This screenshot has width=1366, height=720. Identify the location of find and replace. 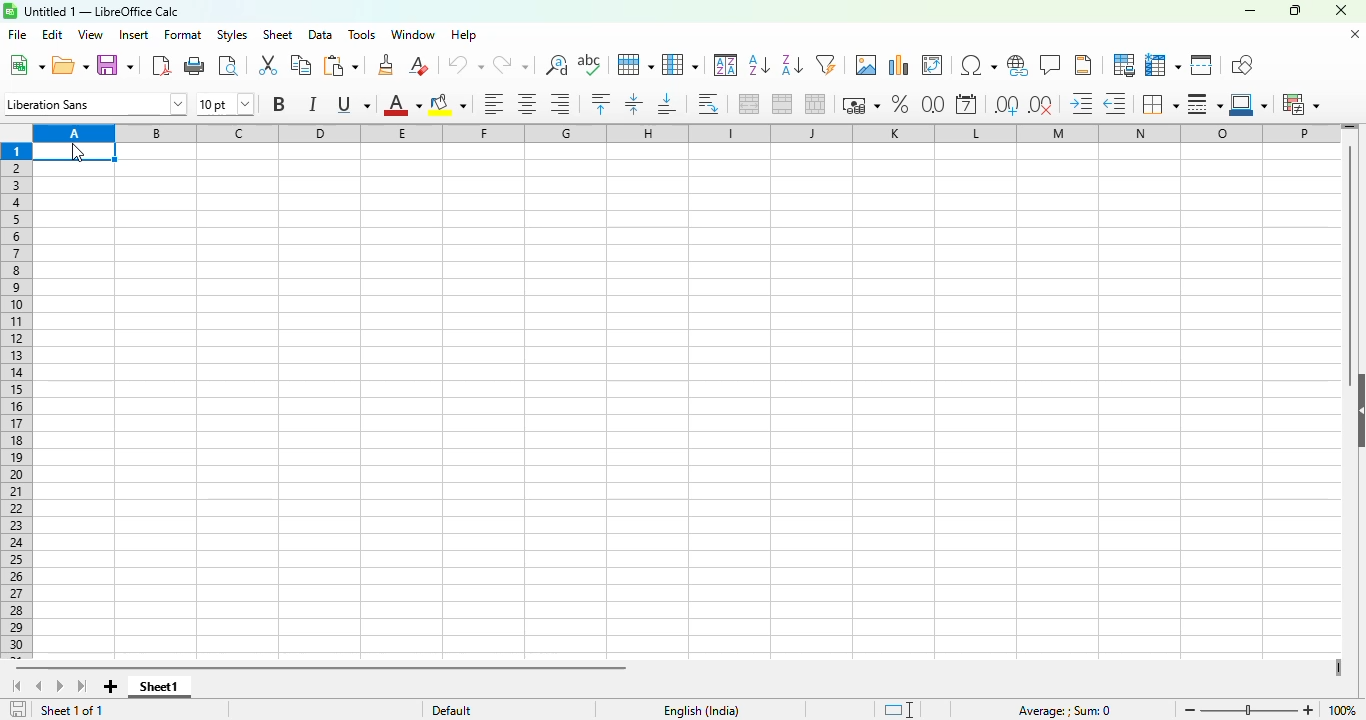
(557, 65).